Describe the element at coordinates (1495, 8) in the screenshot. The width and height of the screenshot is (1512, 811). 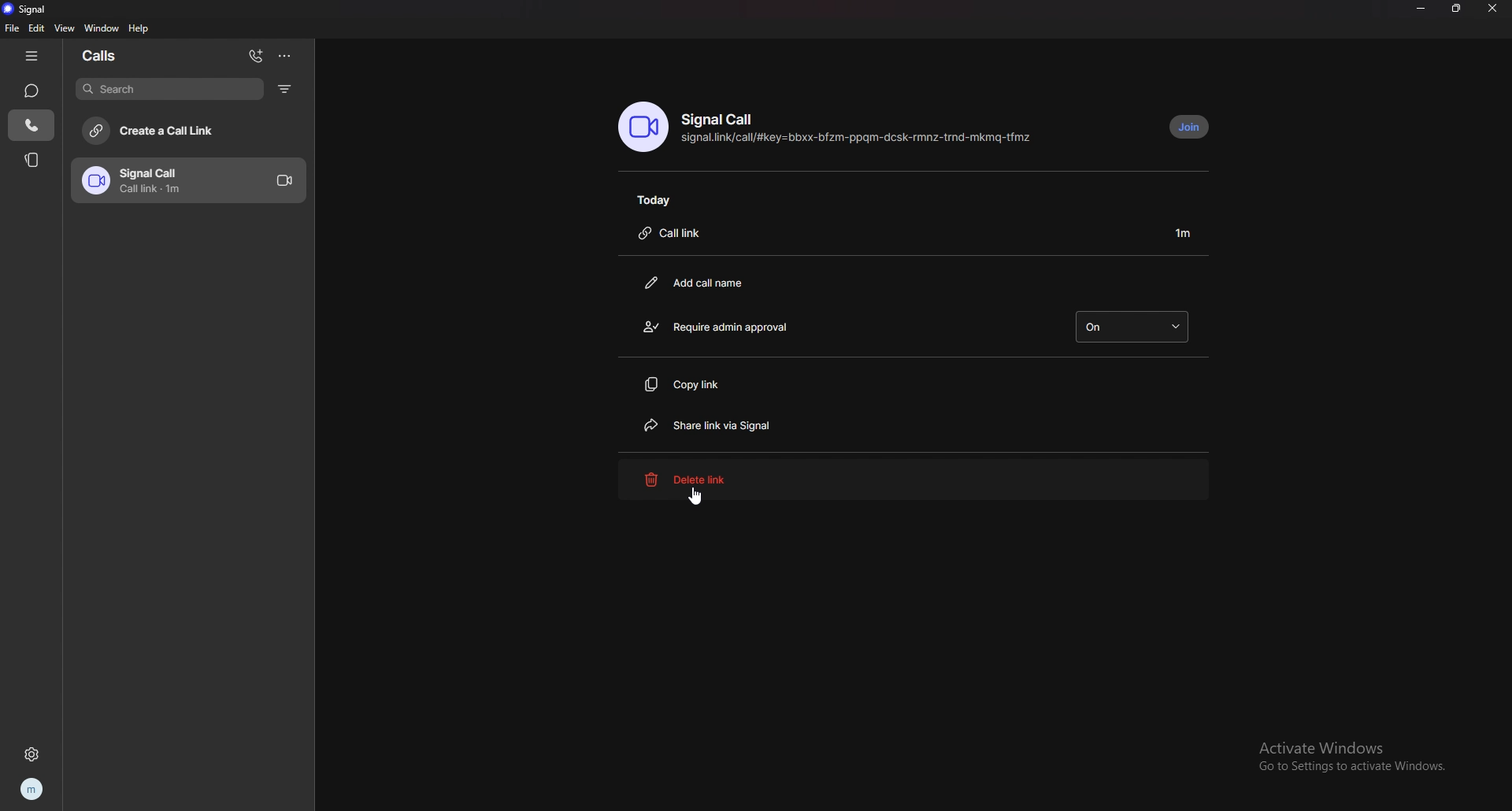
I see `close` at that location.